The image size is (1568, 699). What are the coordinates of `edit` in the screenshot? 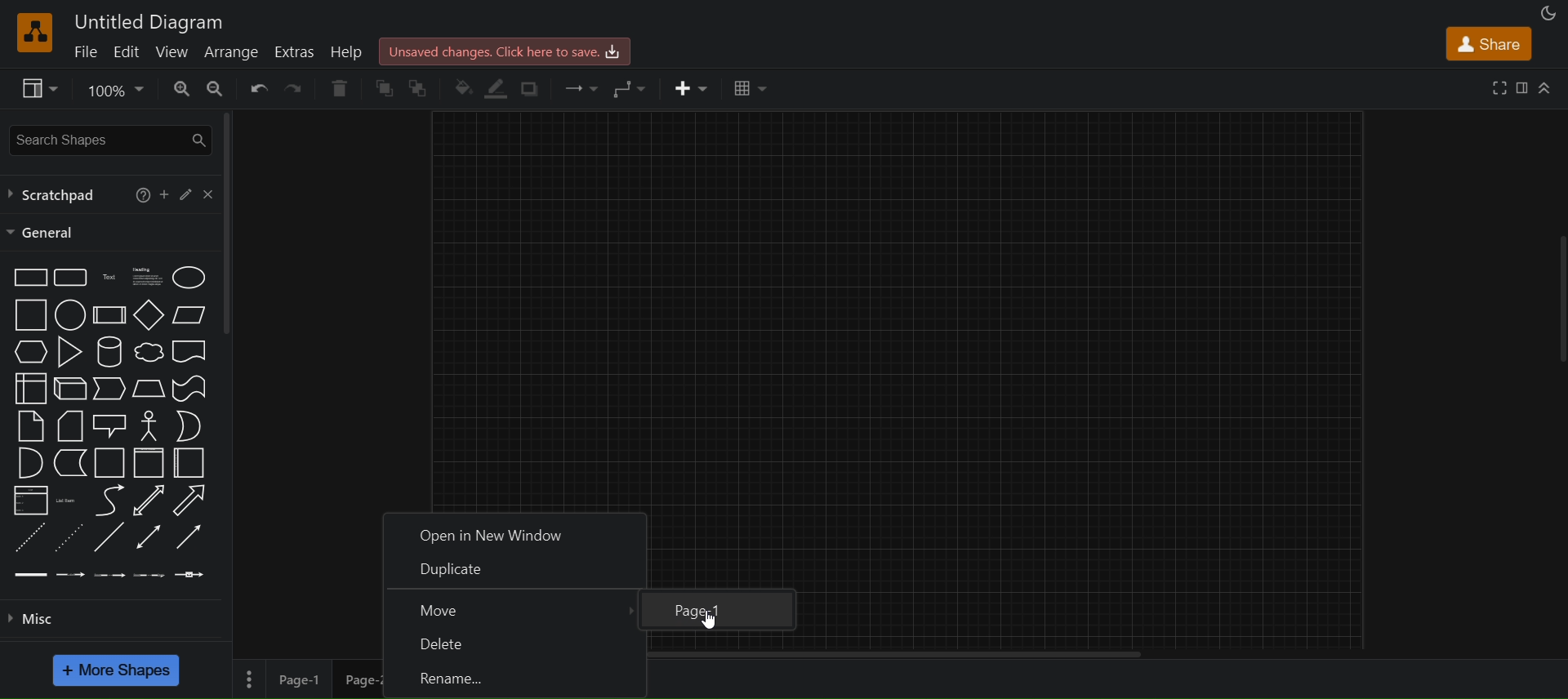 It's located at (185, 194).